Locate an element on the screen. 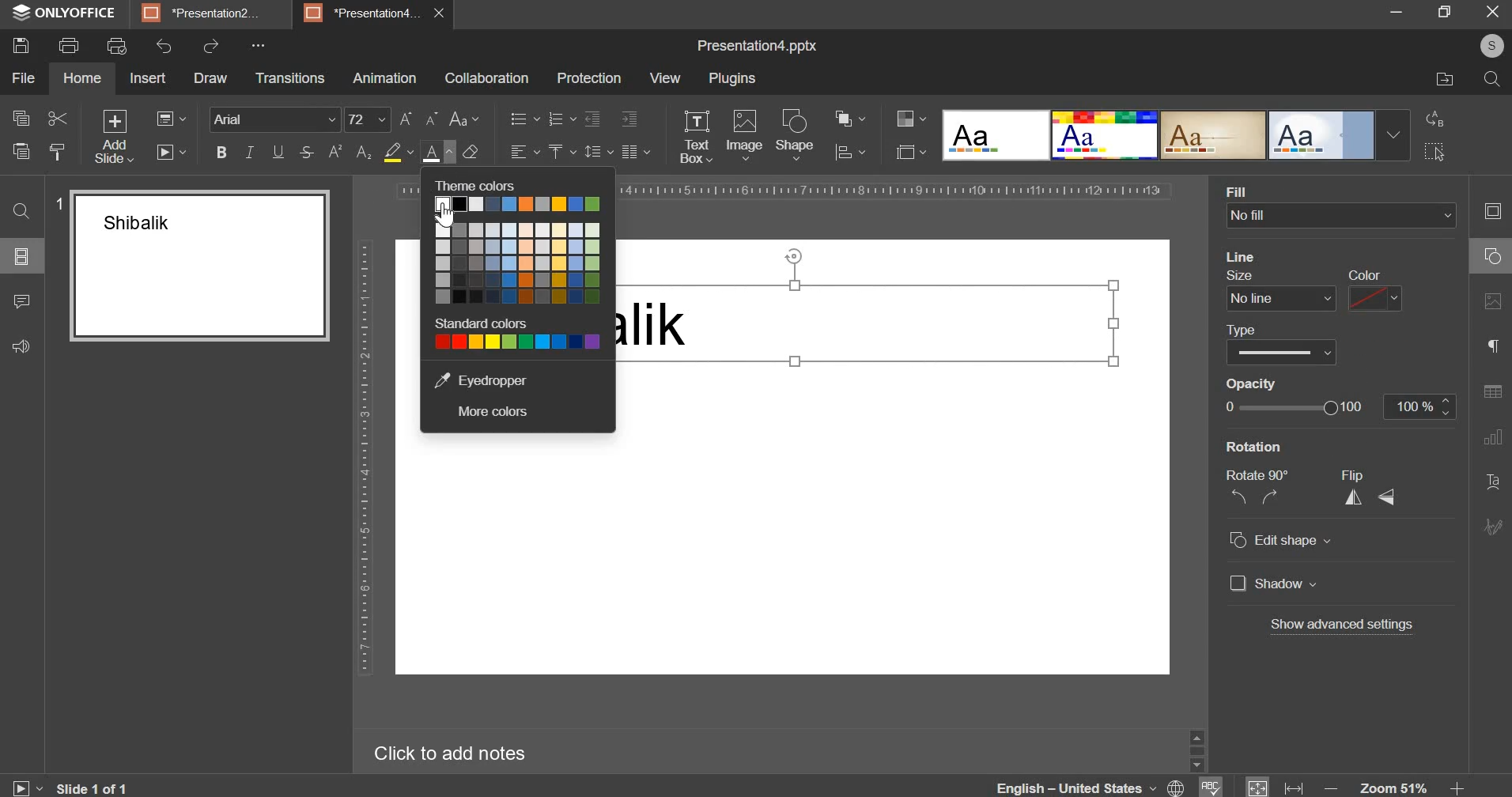 The width and height of the screenshot is (1512, 797). strikethrough is located at coordinates (304, 152).